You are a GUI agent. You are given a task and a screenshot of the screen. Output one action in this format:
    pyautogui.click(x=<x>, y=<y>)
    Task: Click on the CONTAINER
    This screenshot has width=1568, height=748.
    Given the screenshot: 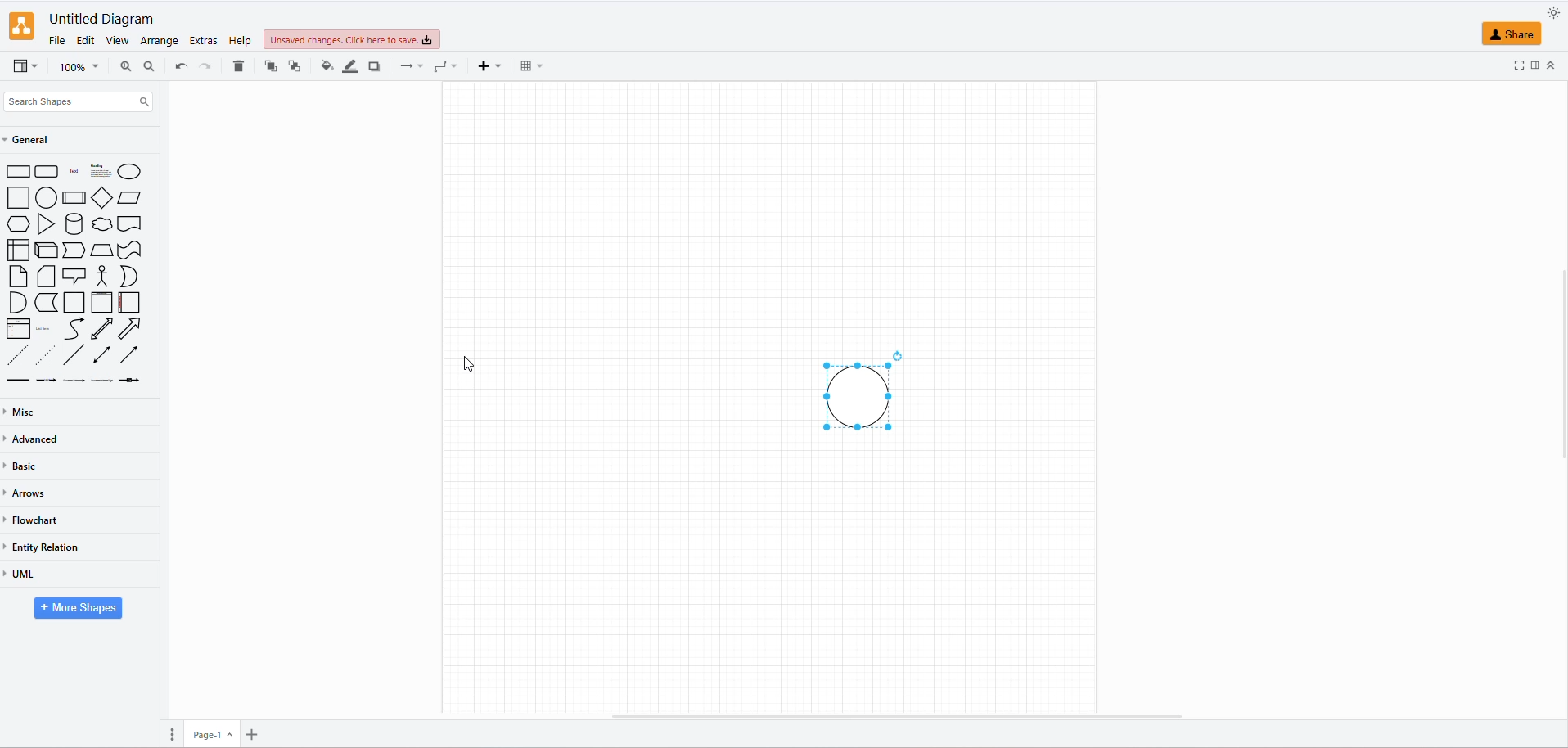 What is the action you would take?
    pyautogui.click(x=100, y=302)
    